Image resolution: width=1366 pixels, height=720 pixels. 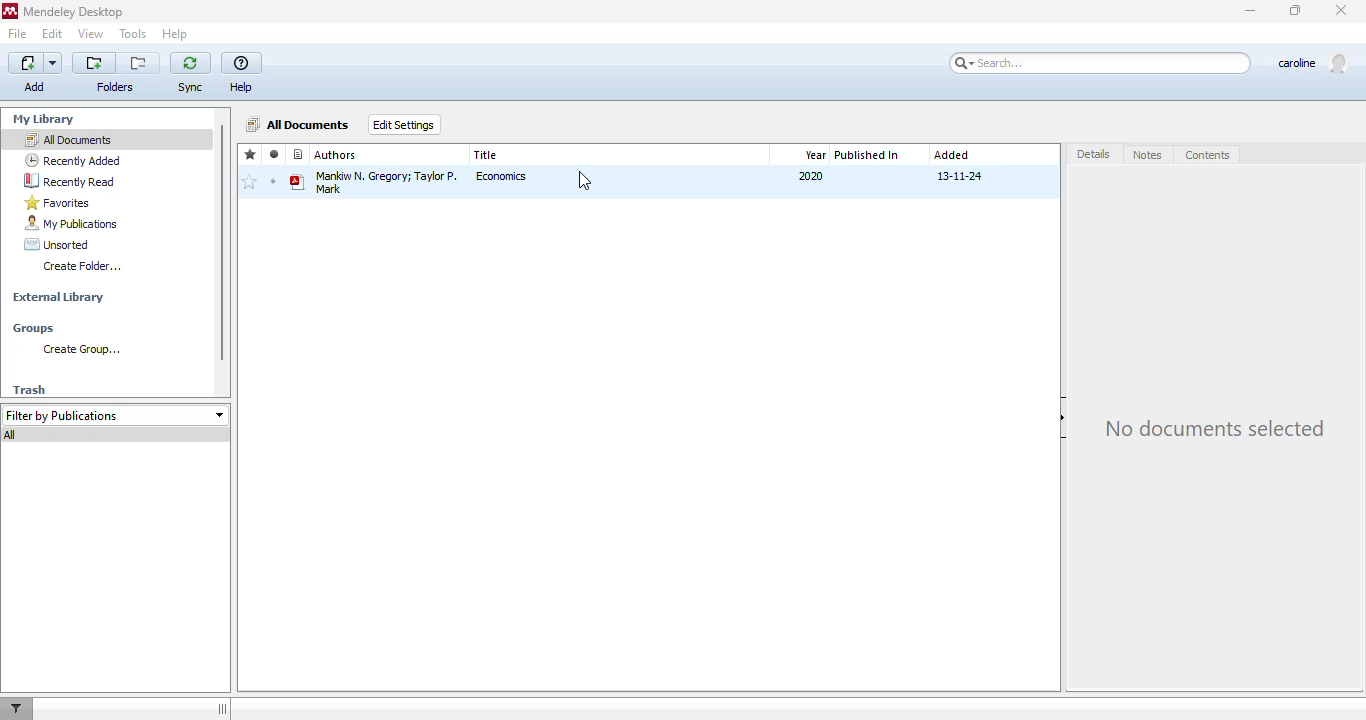 What do you see at coordinates (174, 33) in the screenshot?
I see `help` at bounding box center [174, 33].